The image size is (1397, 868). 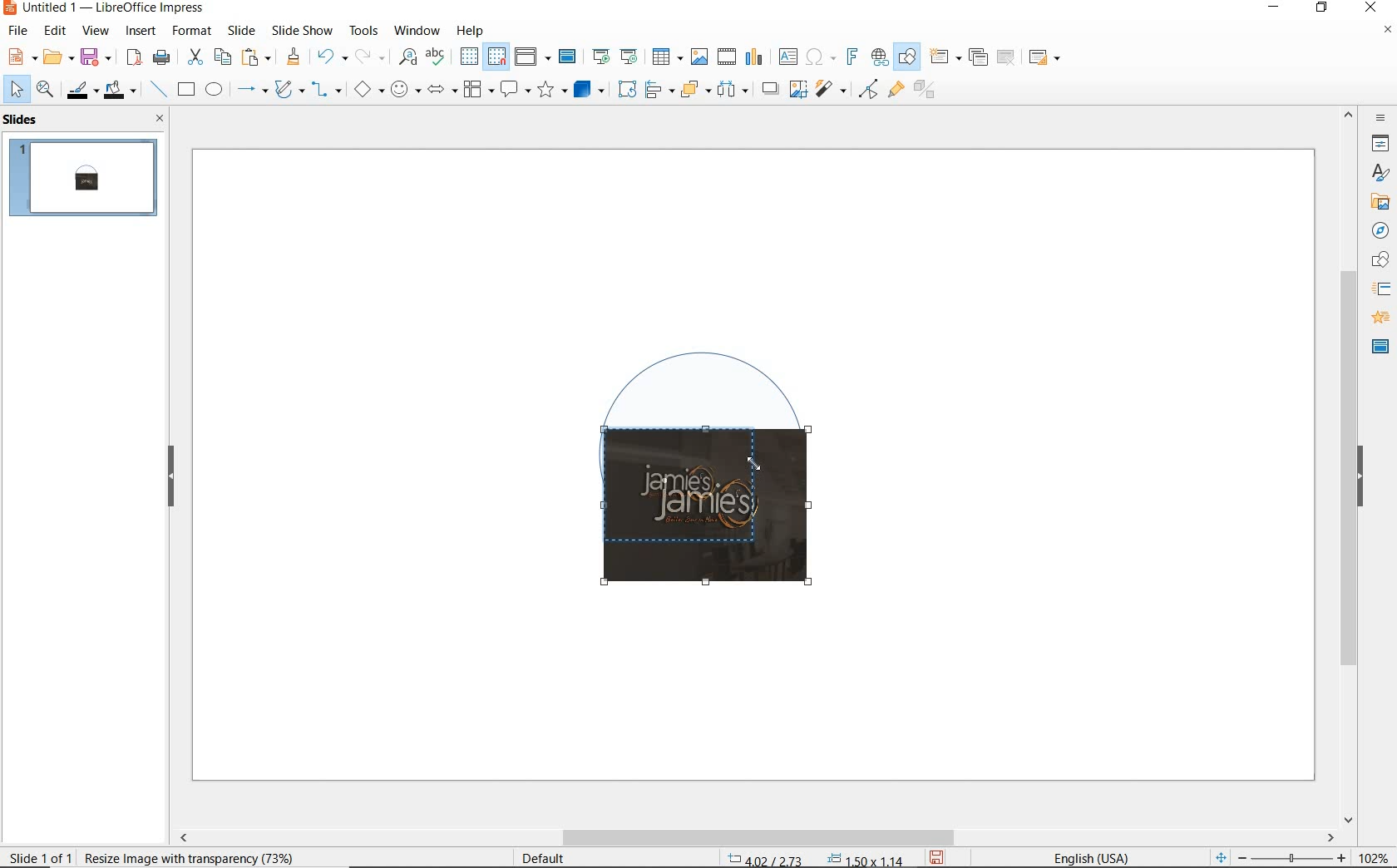 What do you see at coordinates (1379, 229) in the screenshot?
I see `navigator` at bounding box center [1379, 229].